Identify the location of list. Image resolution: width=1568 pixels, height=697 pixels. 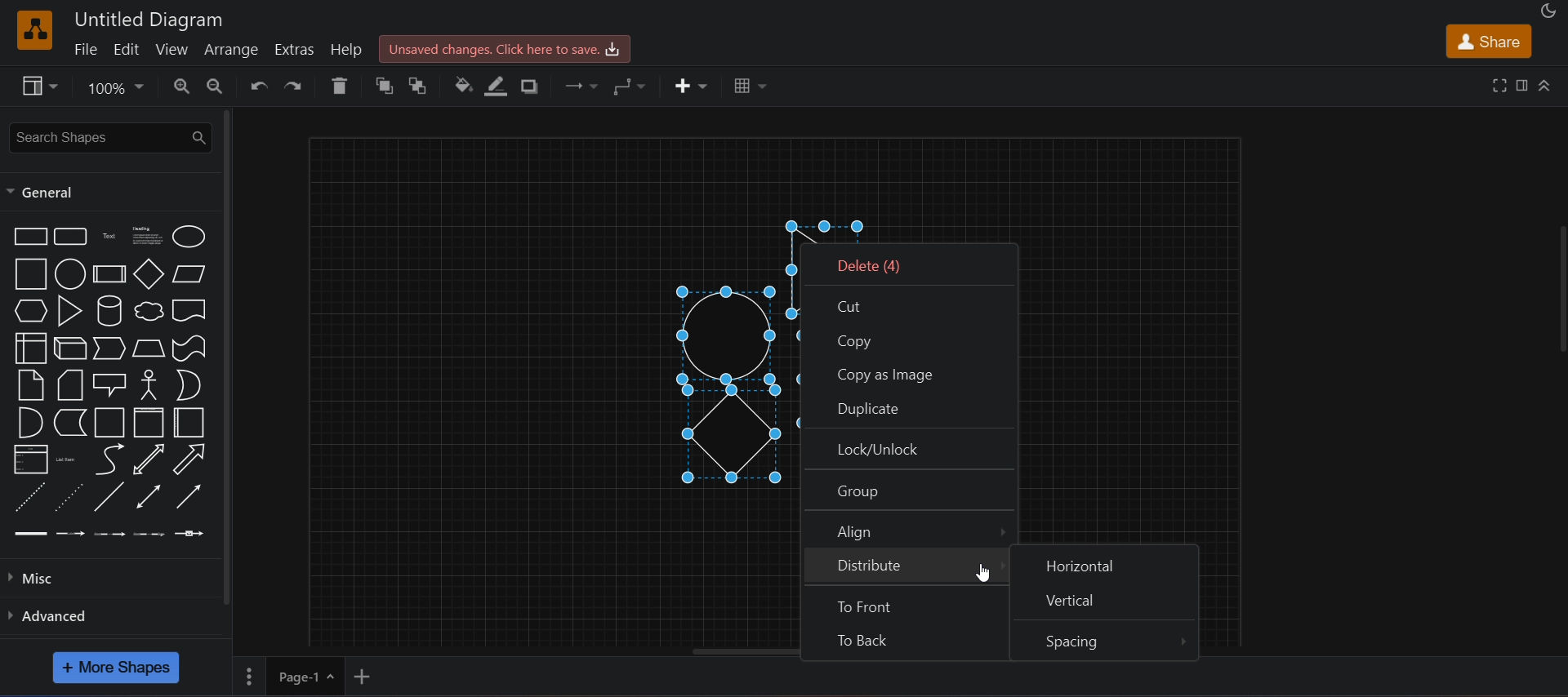
(29, 458).